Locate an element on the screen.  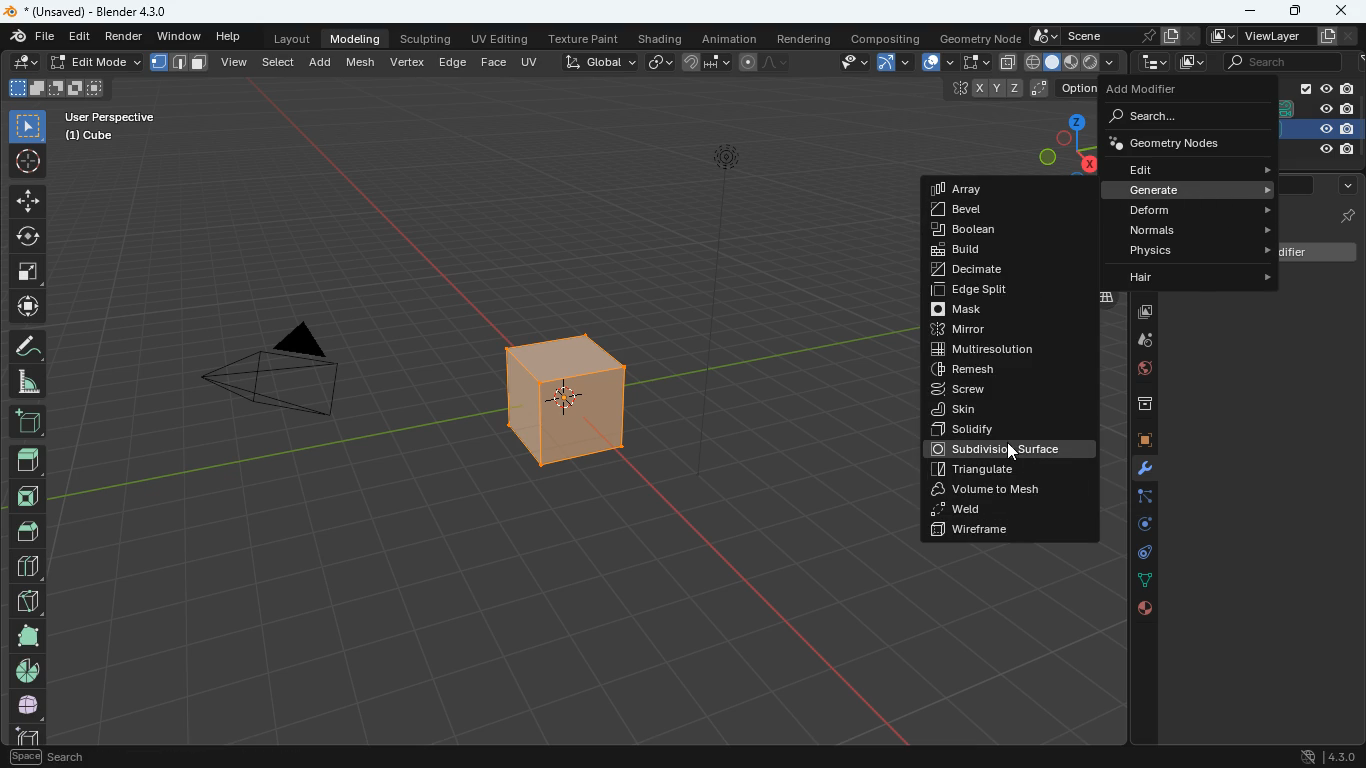
angle is located at coordinates (26, 383).